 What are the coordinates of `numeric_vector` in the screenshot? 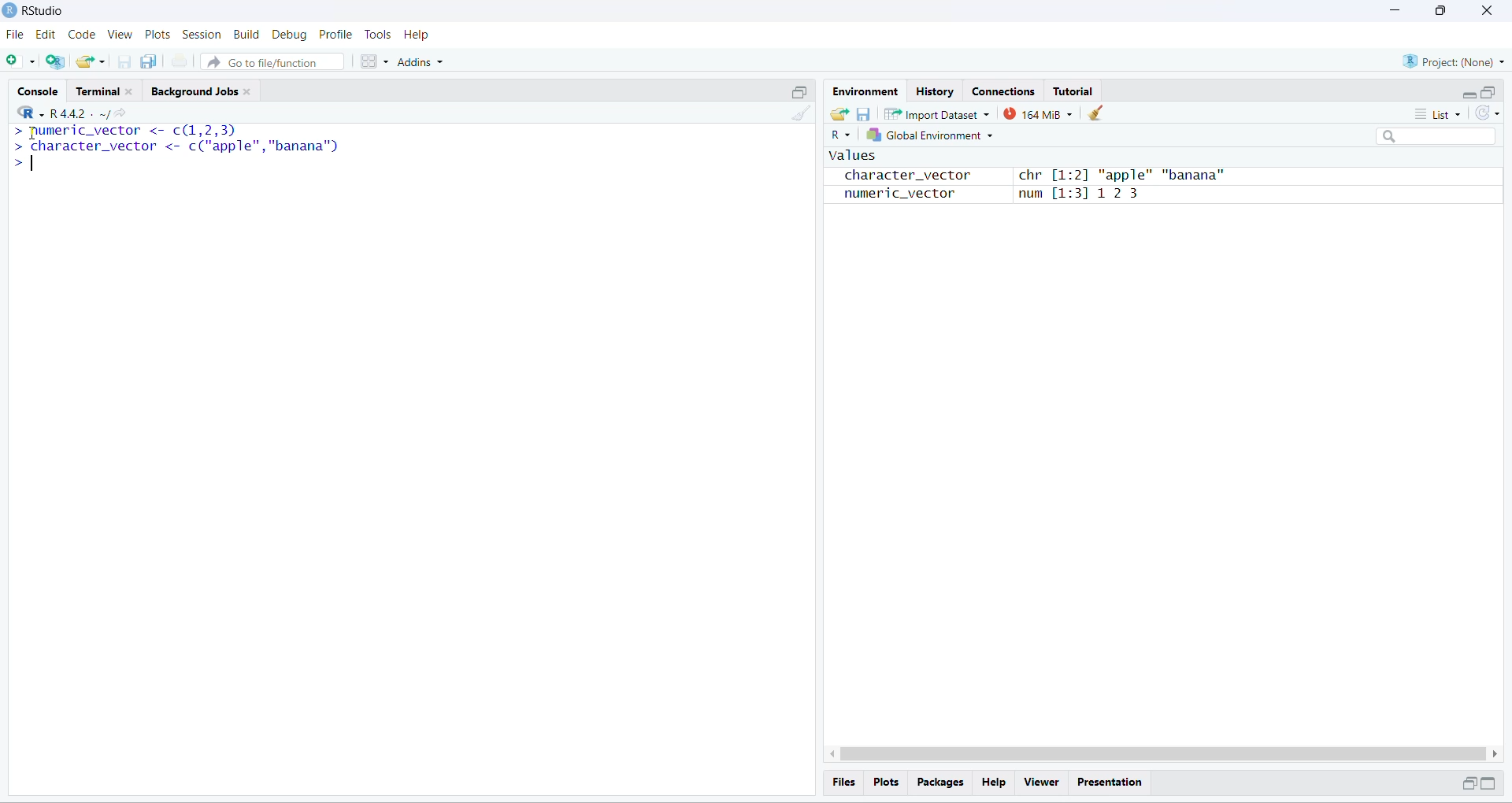 It's located at (890, 194).